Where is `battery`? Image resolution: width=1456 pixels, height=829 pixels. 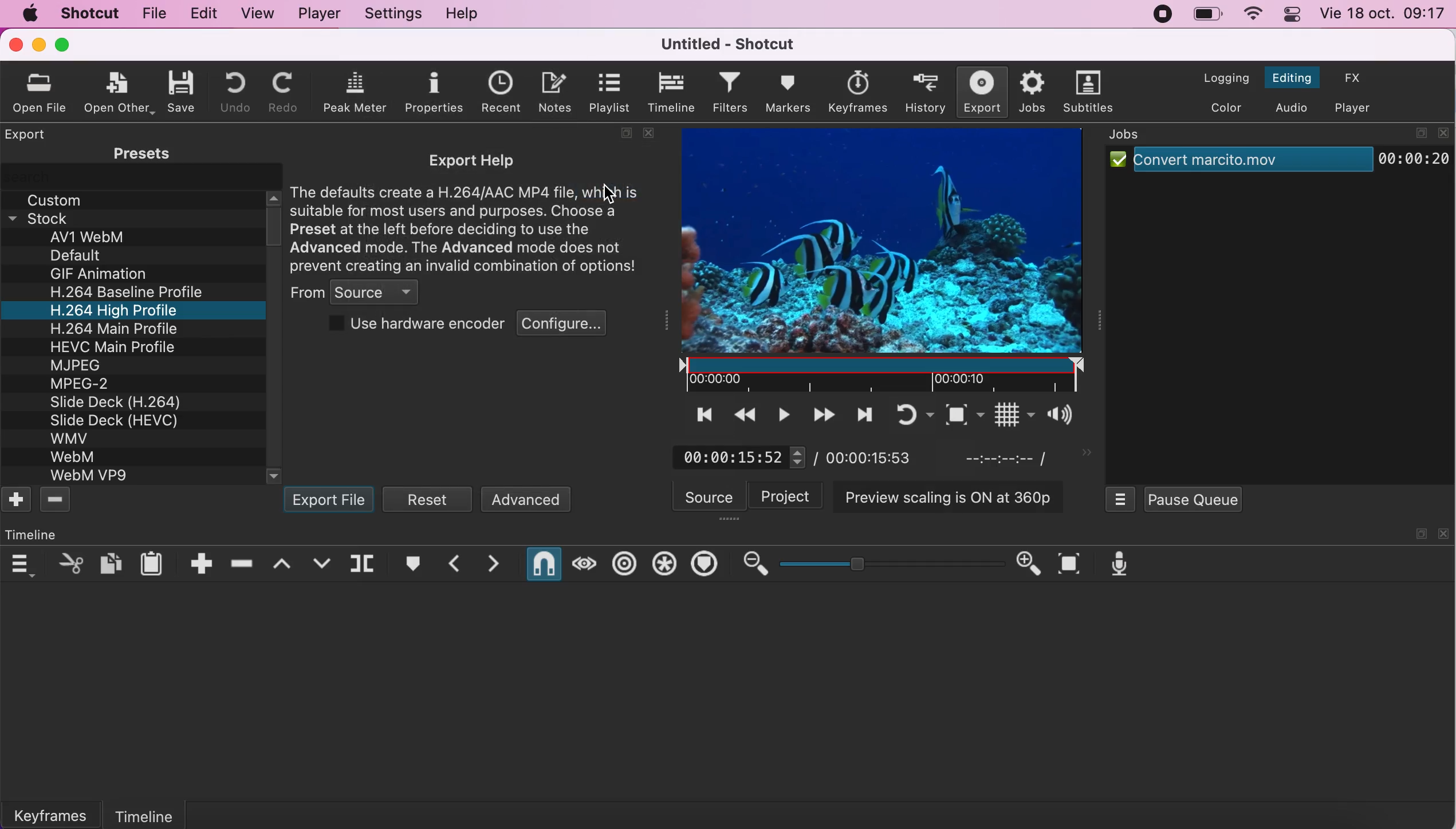
battery is located at coordinates (1207, 15).